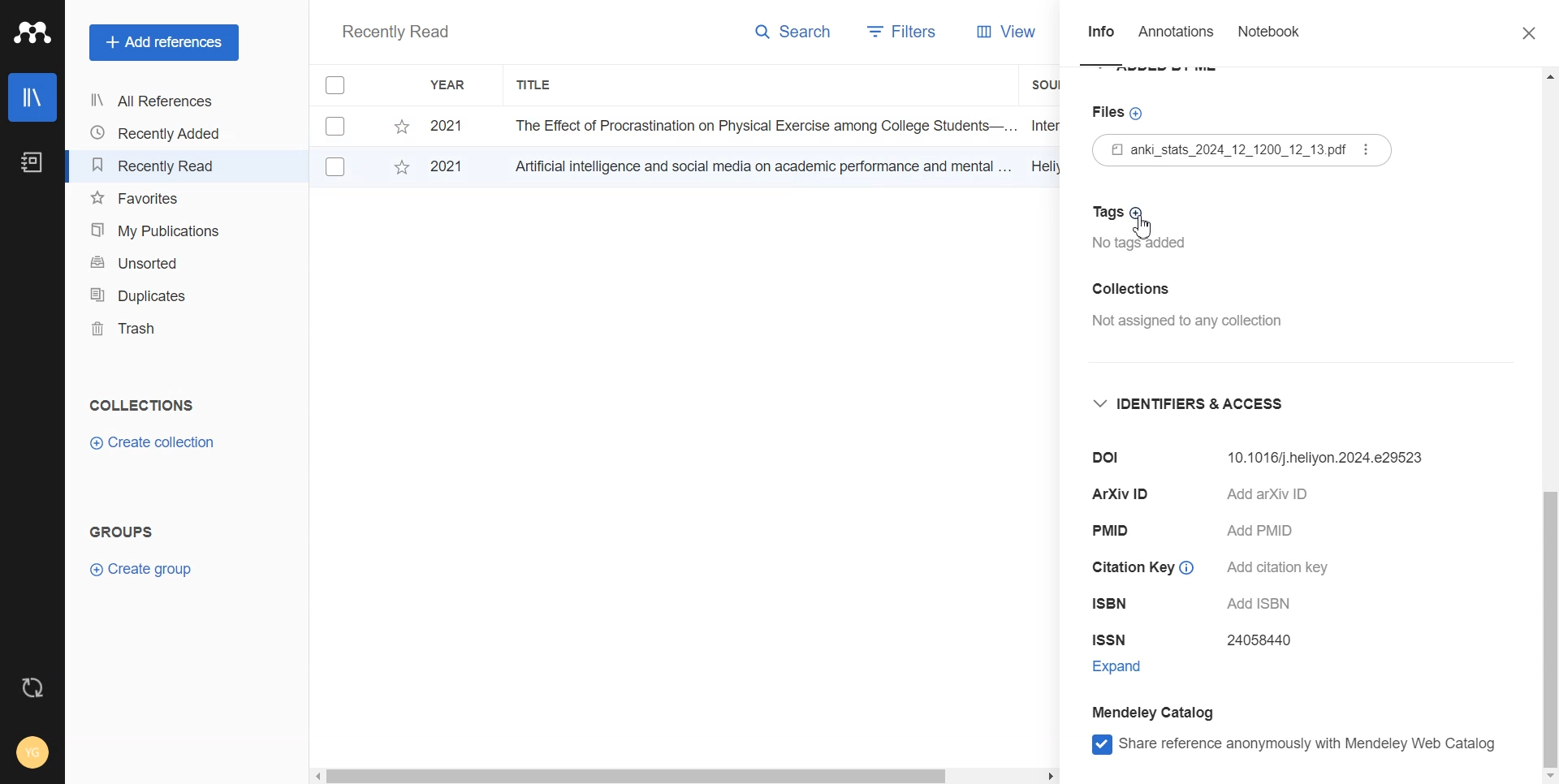 This screenshot has height=784, width=1559. What do you see at coordinates (32, 32) in the screenshot?
I see `Logo` at bounding box center [32, 32].